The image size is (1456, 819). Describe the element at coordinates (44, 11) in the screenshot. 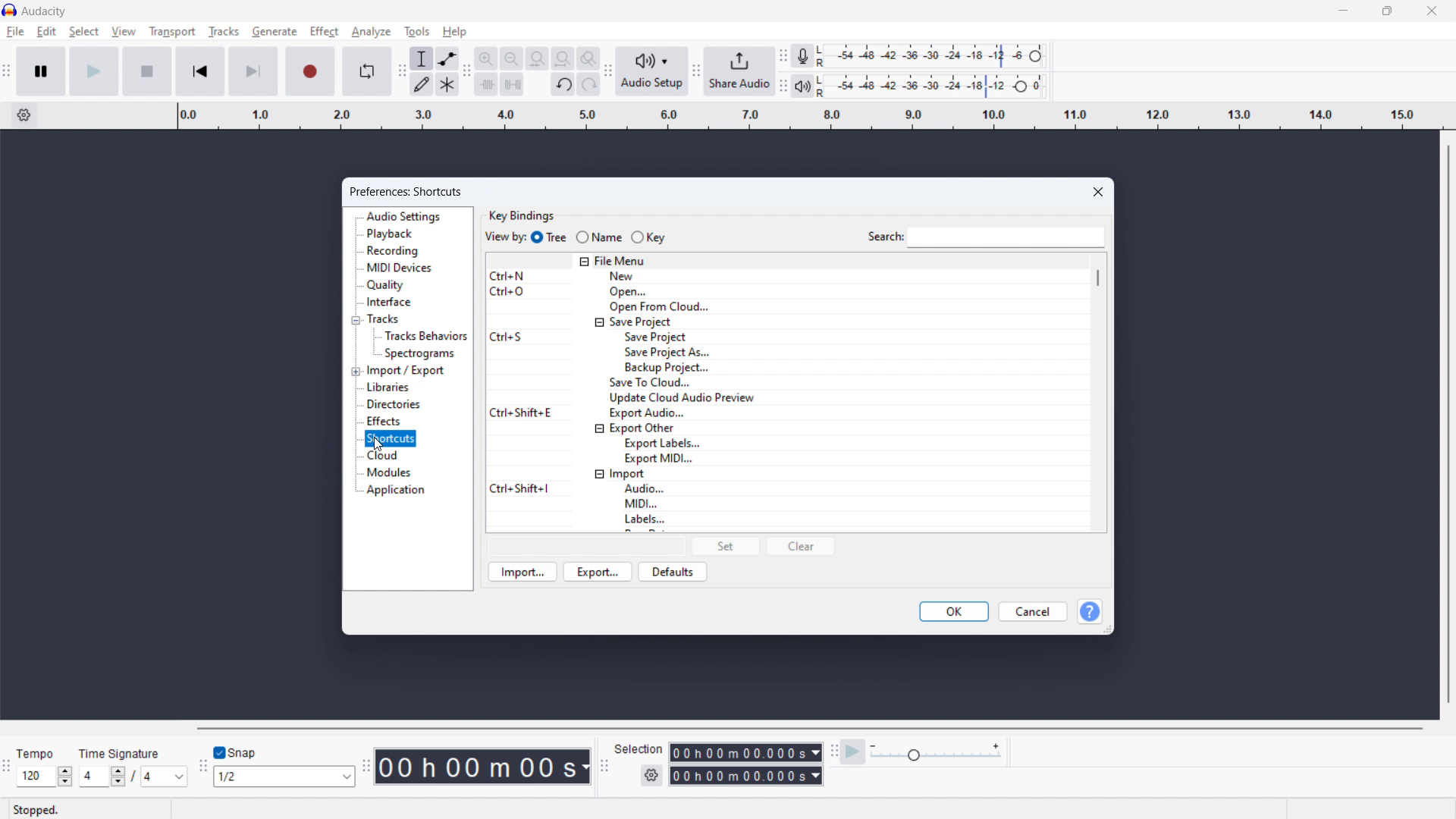

I see `Audacity - software title` at that location.